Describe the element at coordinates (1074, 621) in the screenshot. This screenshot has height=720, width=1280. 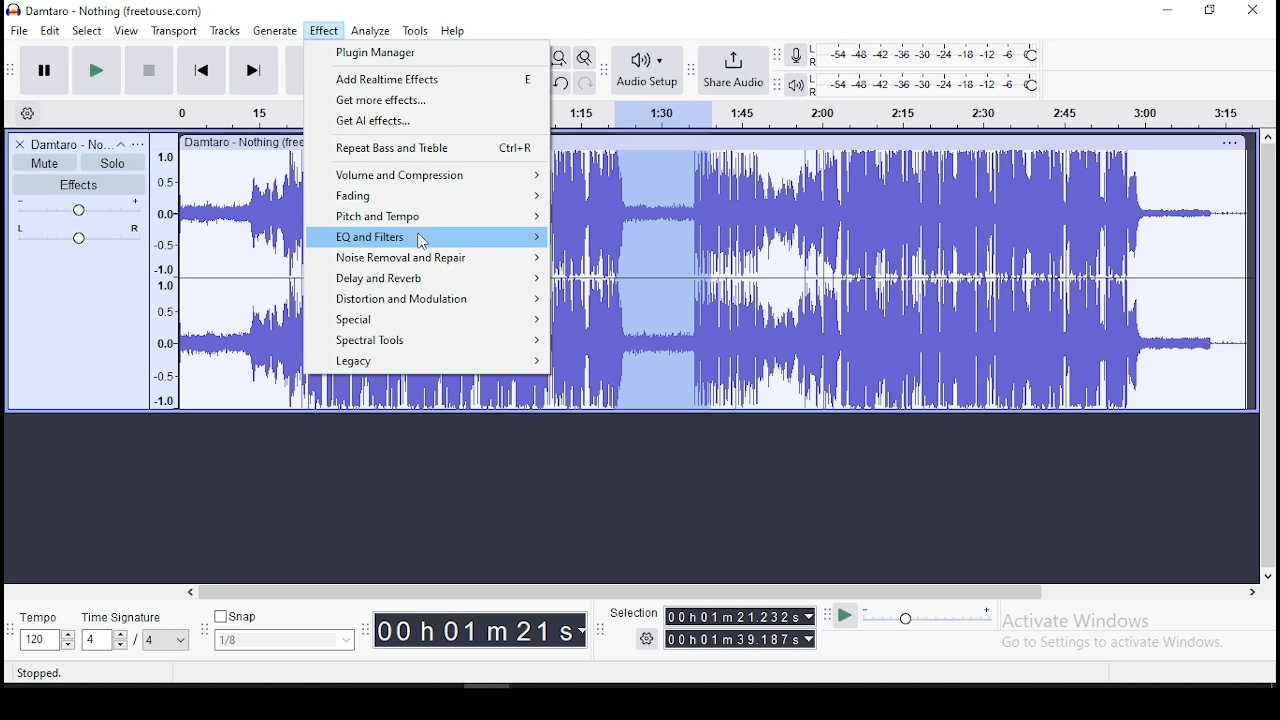
I see `Activate windows` at that location.